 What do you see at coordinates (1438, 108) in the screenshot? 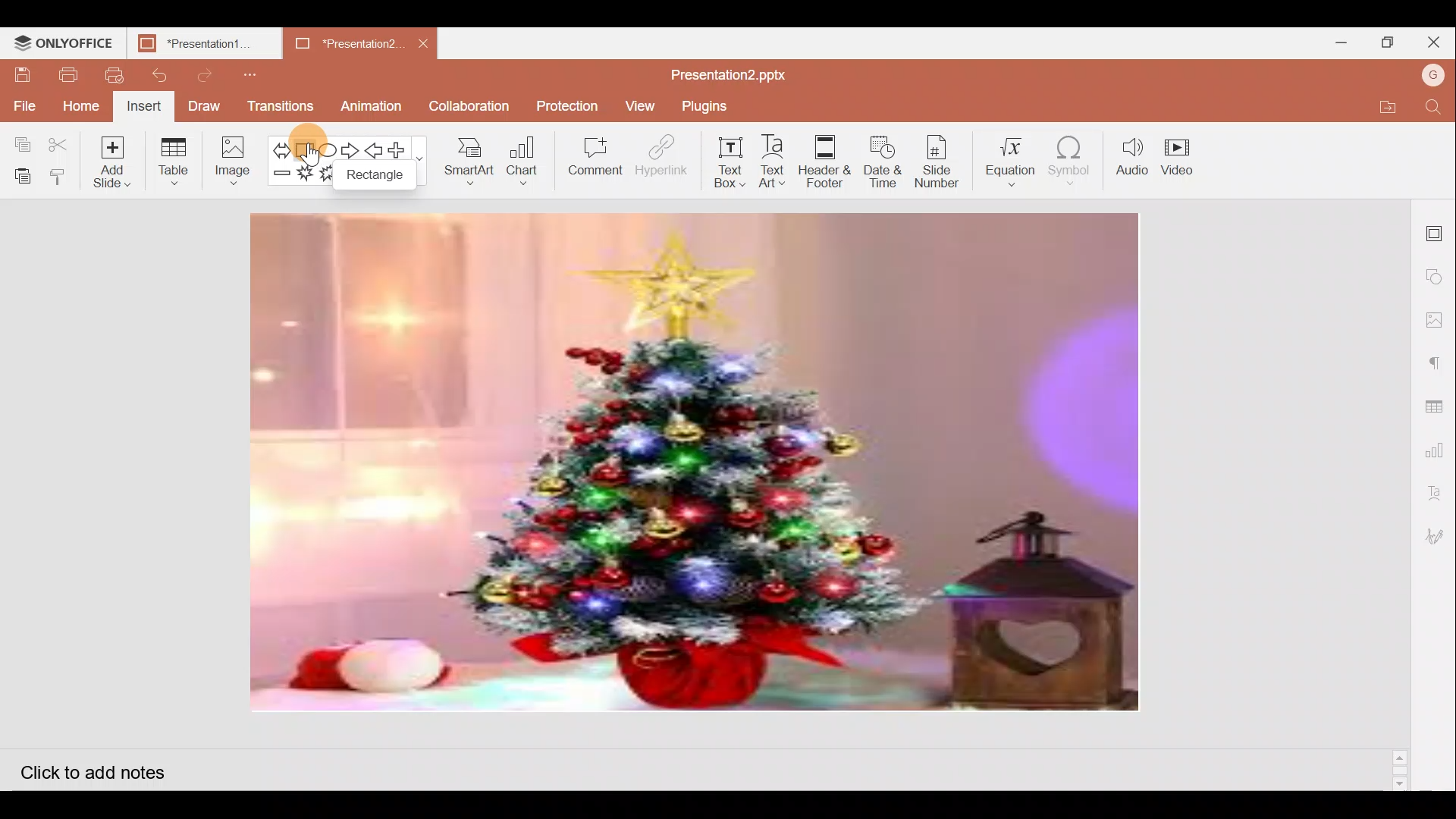
I see `Find` at bounding box center [1438, 108].